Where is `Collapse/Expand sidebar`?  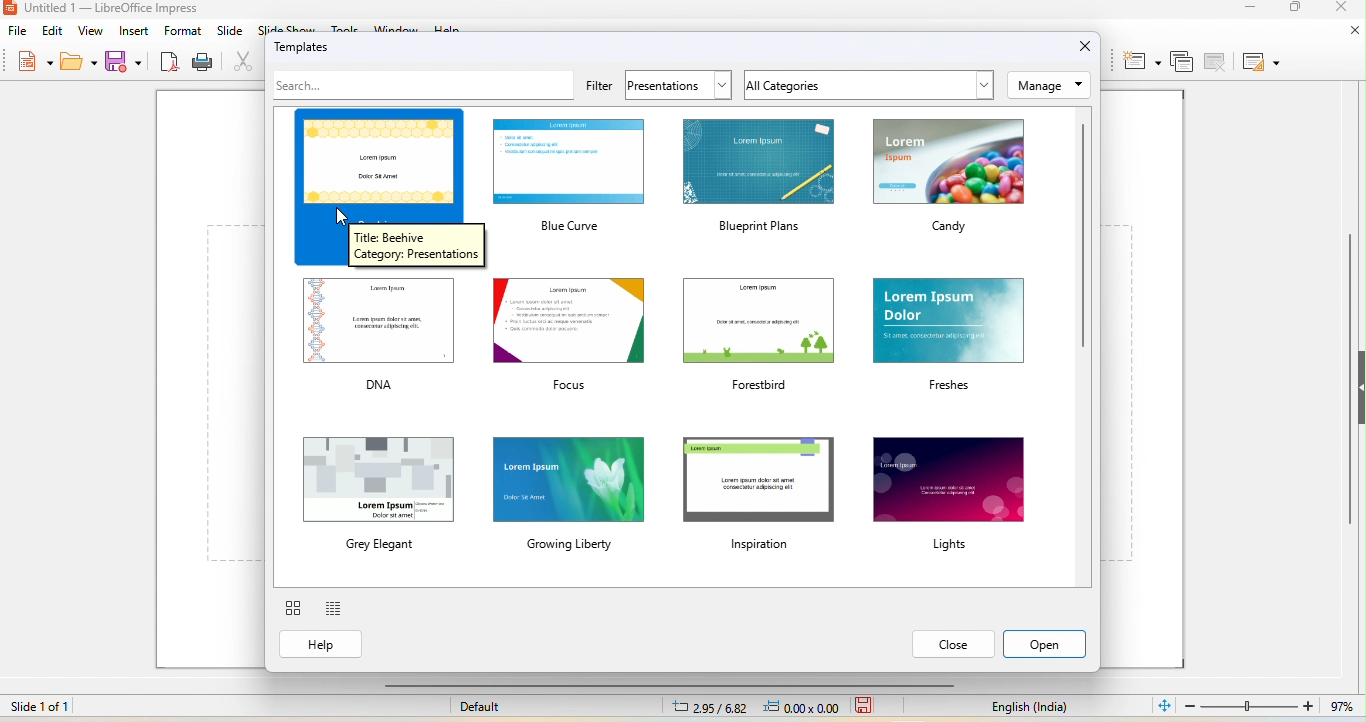
Collapse/Expand sidebar is located at coordinates (1362, 387).